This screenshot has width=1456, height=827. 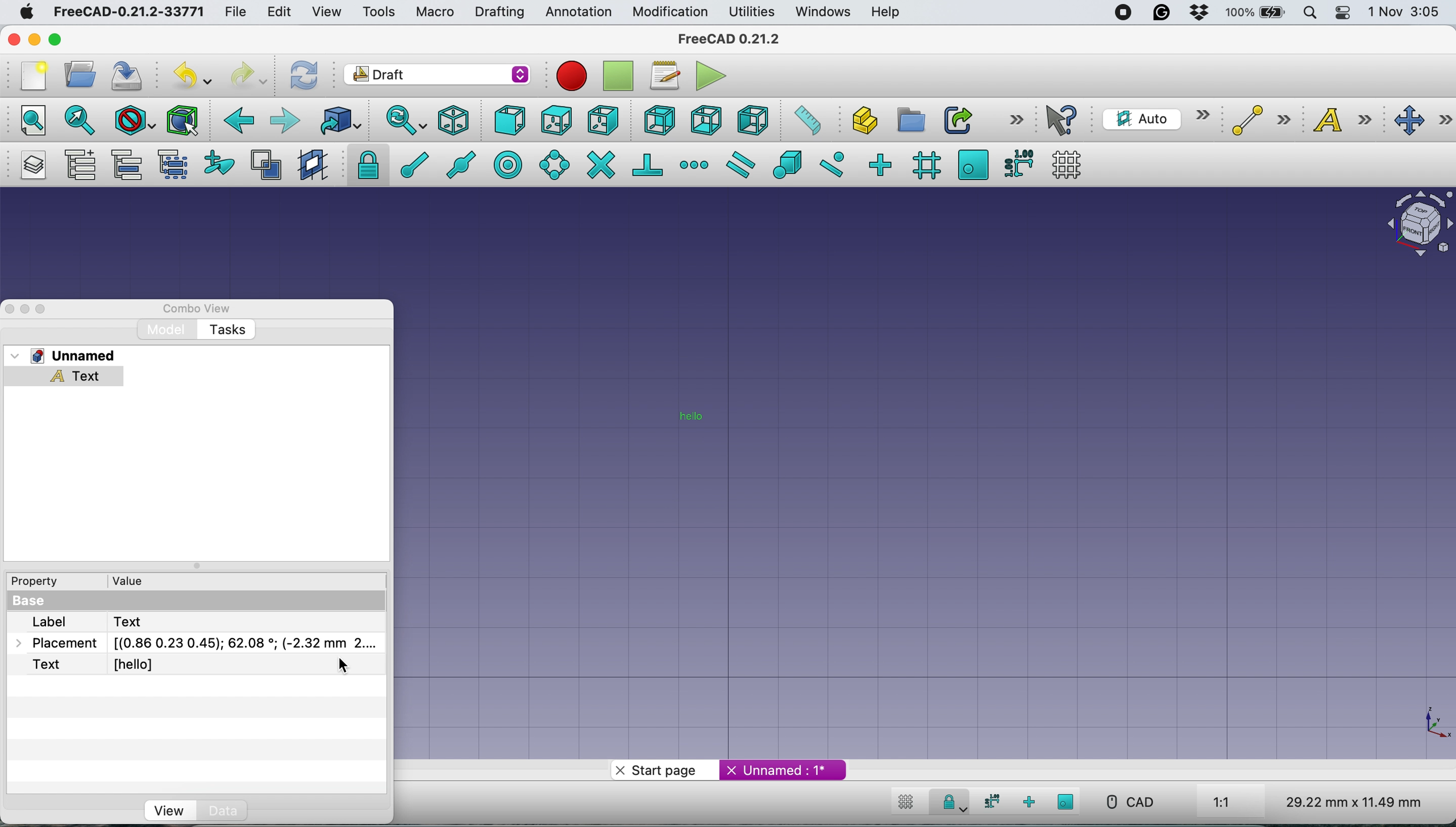 What do you see at coordinates (34, 121) in the screenshot?
I see `fit all` at bounding box center [34, 121].